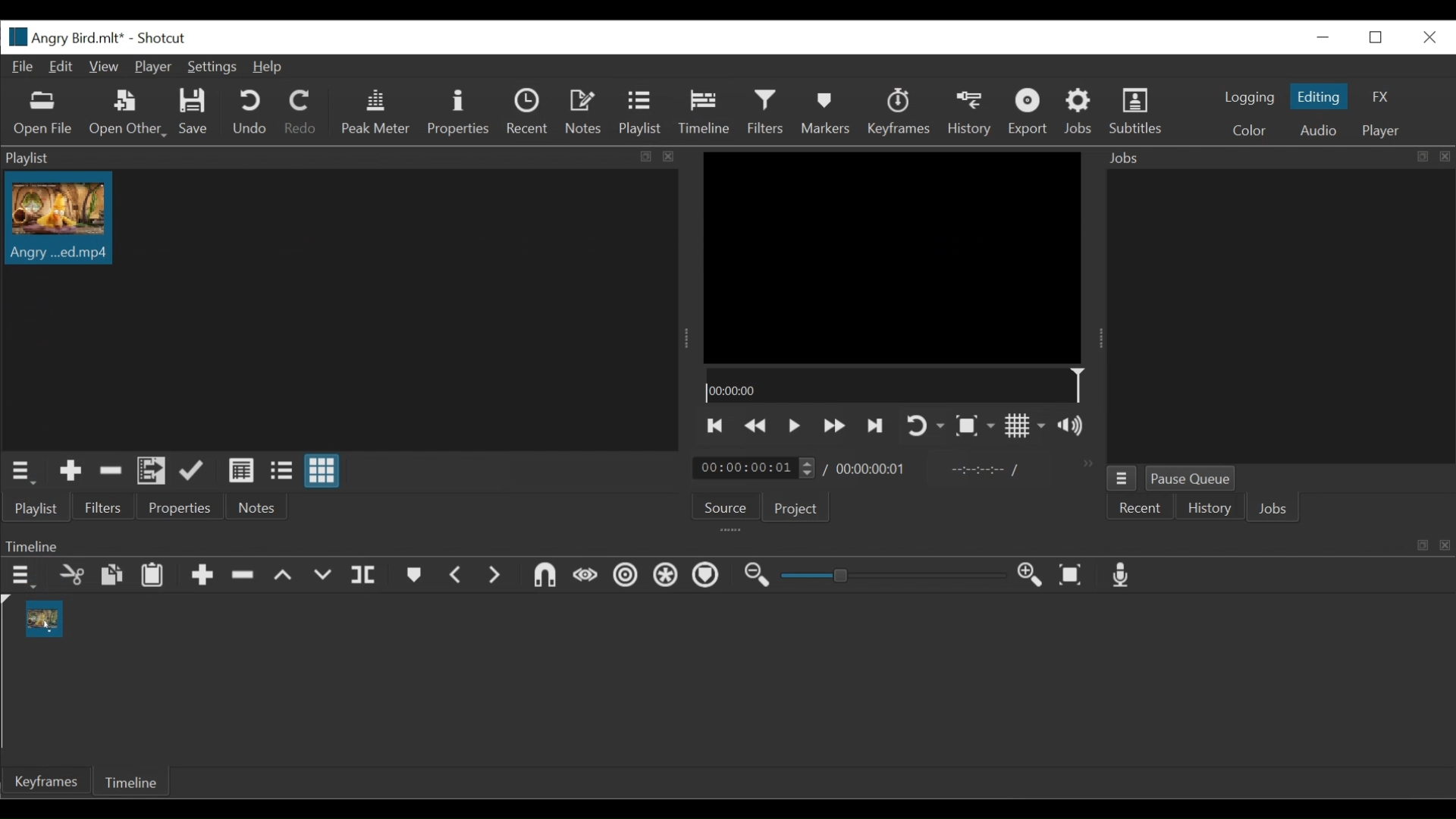 The height and width of the screenshot is (819, 1456). I want to click on cut, so click(71, 576).